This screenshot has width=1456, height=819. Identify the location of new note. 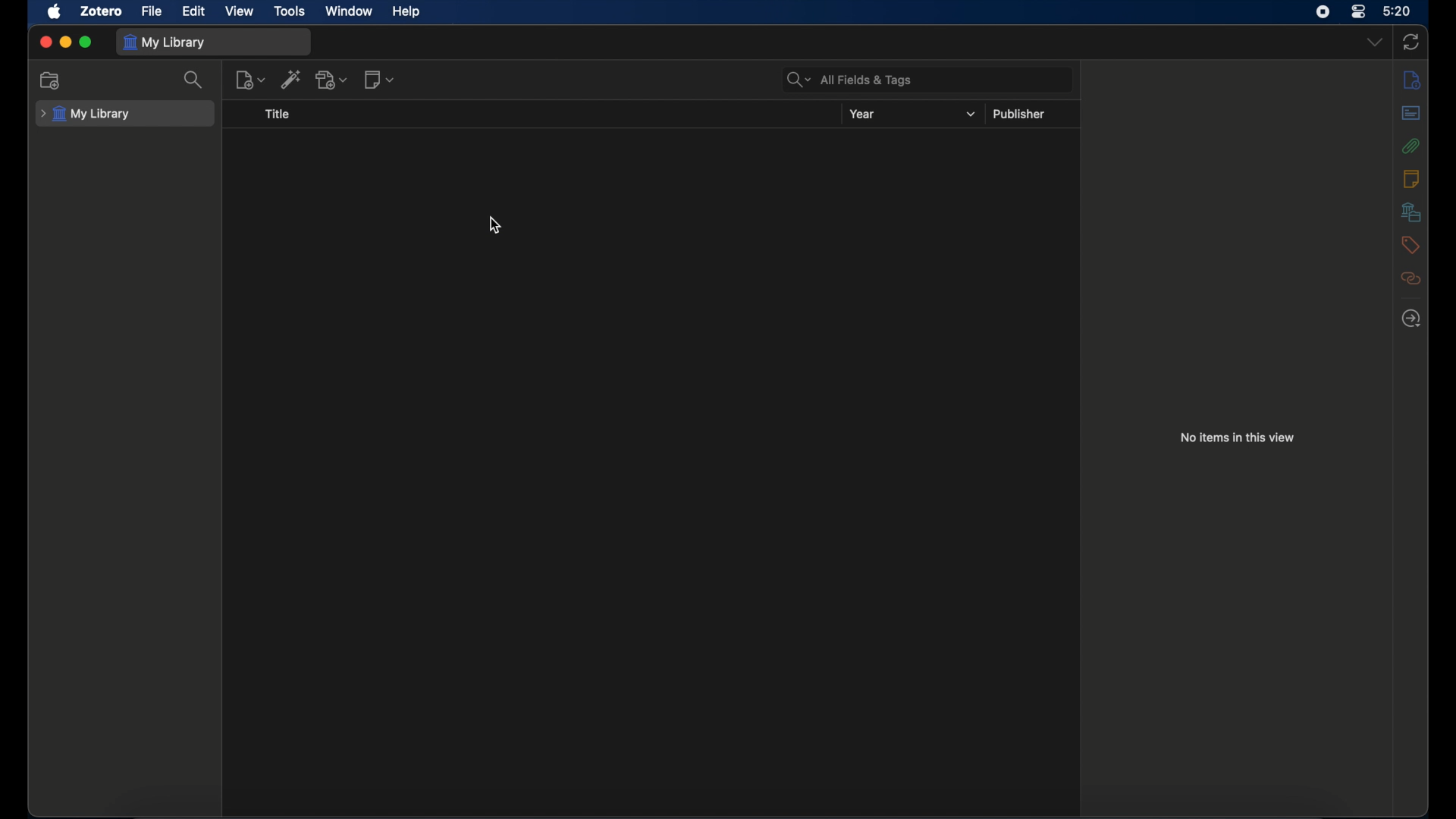
(379, 80).